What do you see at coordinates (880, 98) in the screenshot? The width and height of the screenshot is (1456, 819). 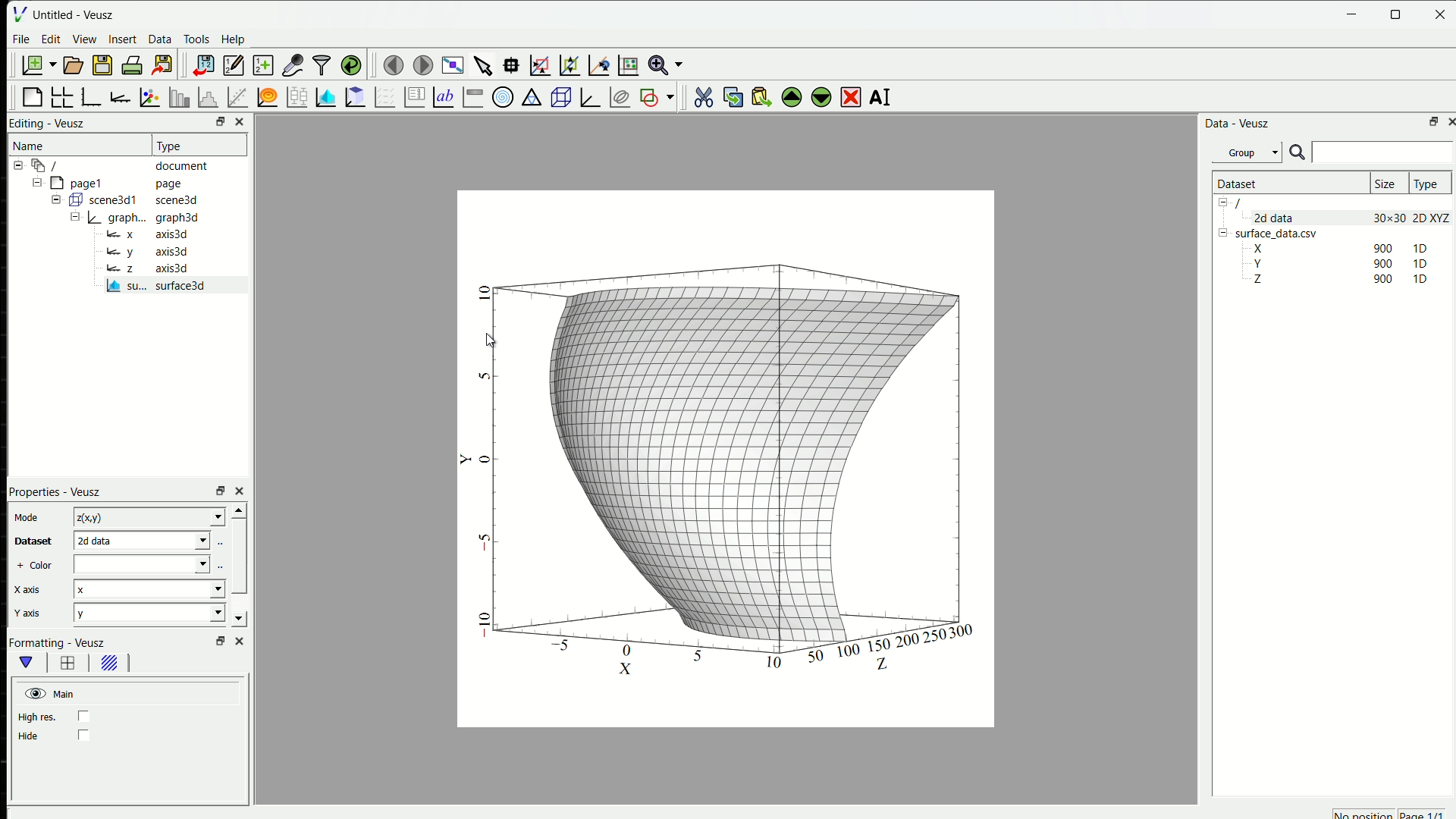 I see `AI` at bounding box center [880, 98].